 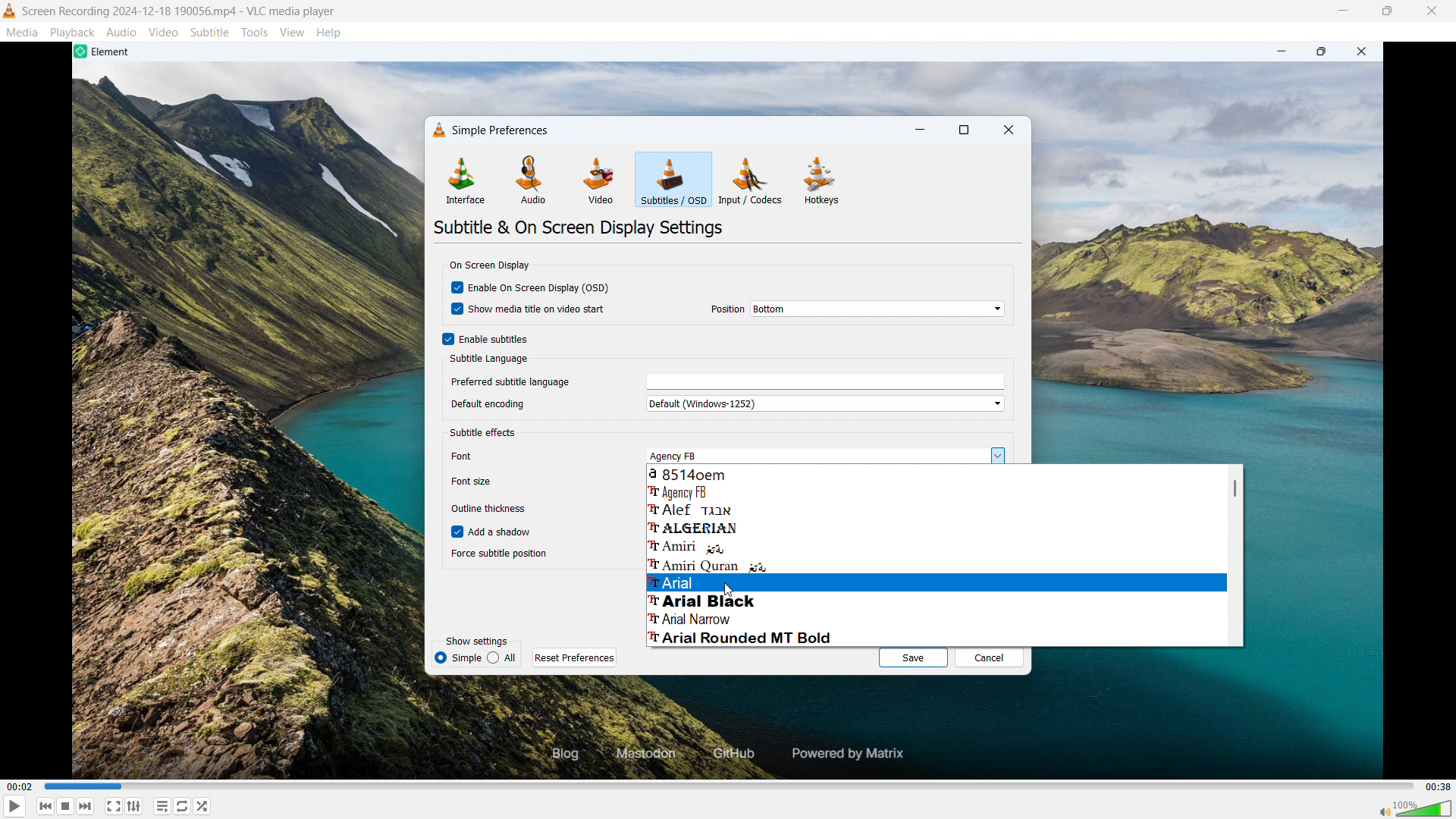 What do you see at coordinates (482, 456) in the screenshot?
I see `Font` at bounding box center [482, 456].